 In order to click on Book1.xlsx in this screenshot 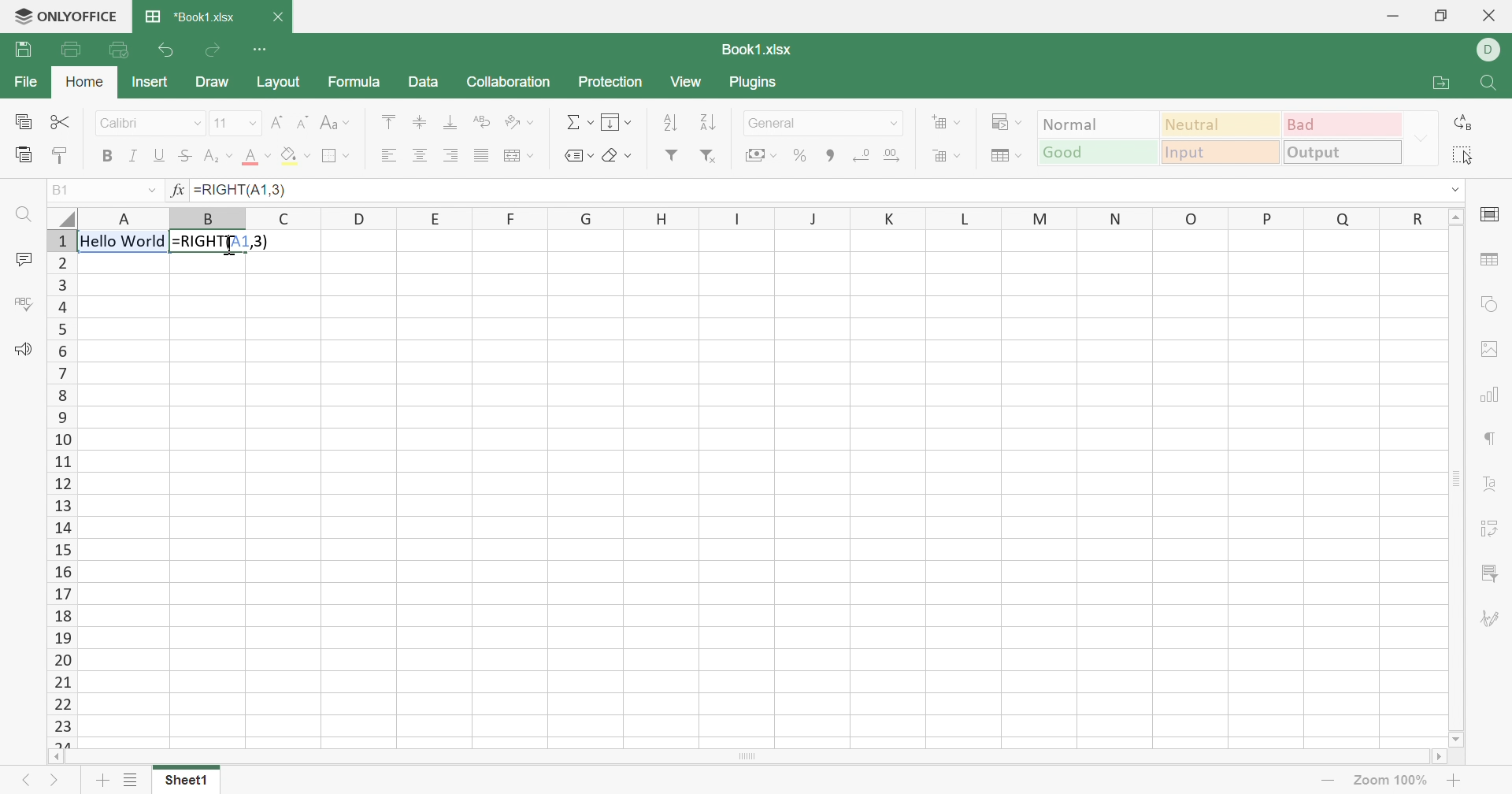, I will do `click(754, 48)`.